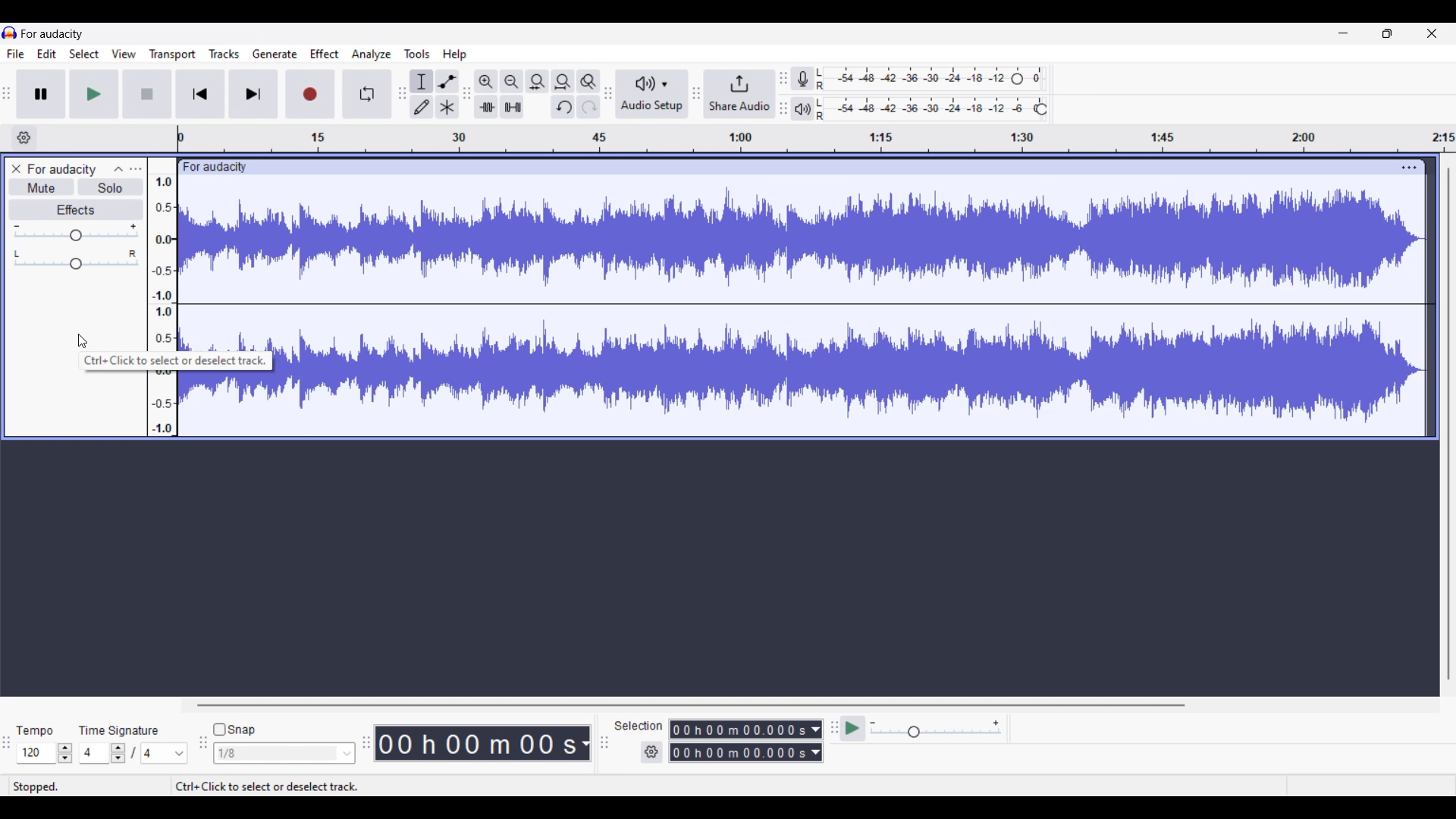 The image size is (1456, 819). What do you see at coordinates (16, 54) in the screenshot?
I see `File menu` at bounding box center [16, 54].